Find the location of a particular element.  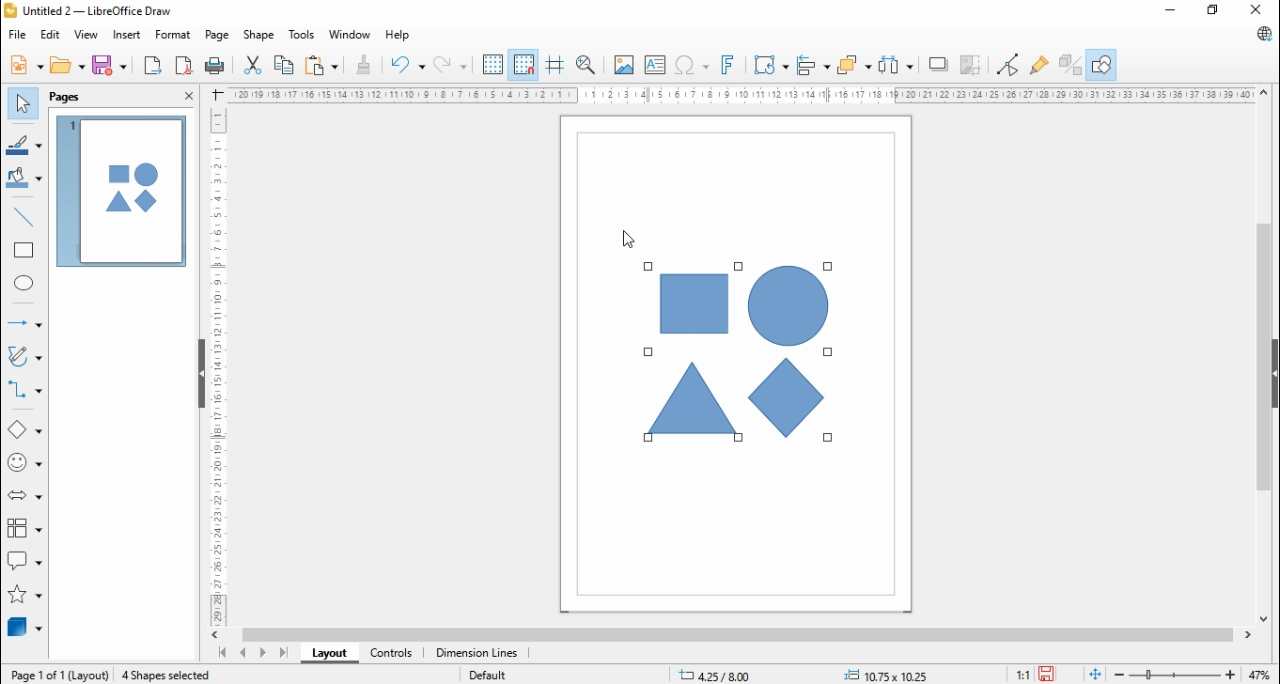

3D objects is located at coordinates (24, 626).